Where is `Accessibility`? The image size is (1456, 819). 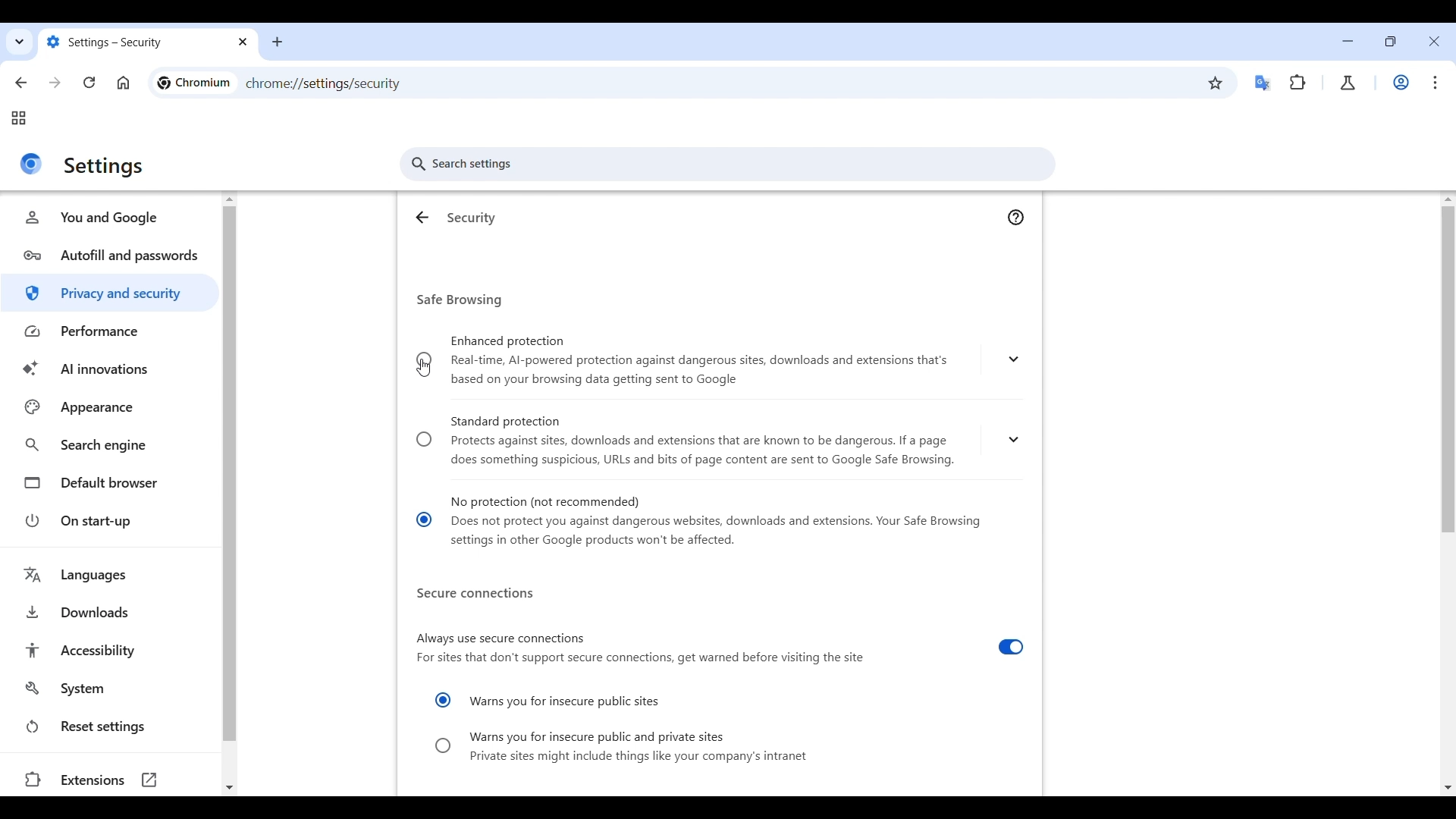 Accessibility is located at coordinates (112, 650).